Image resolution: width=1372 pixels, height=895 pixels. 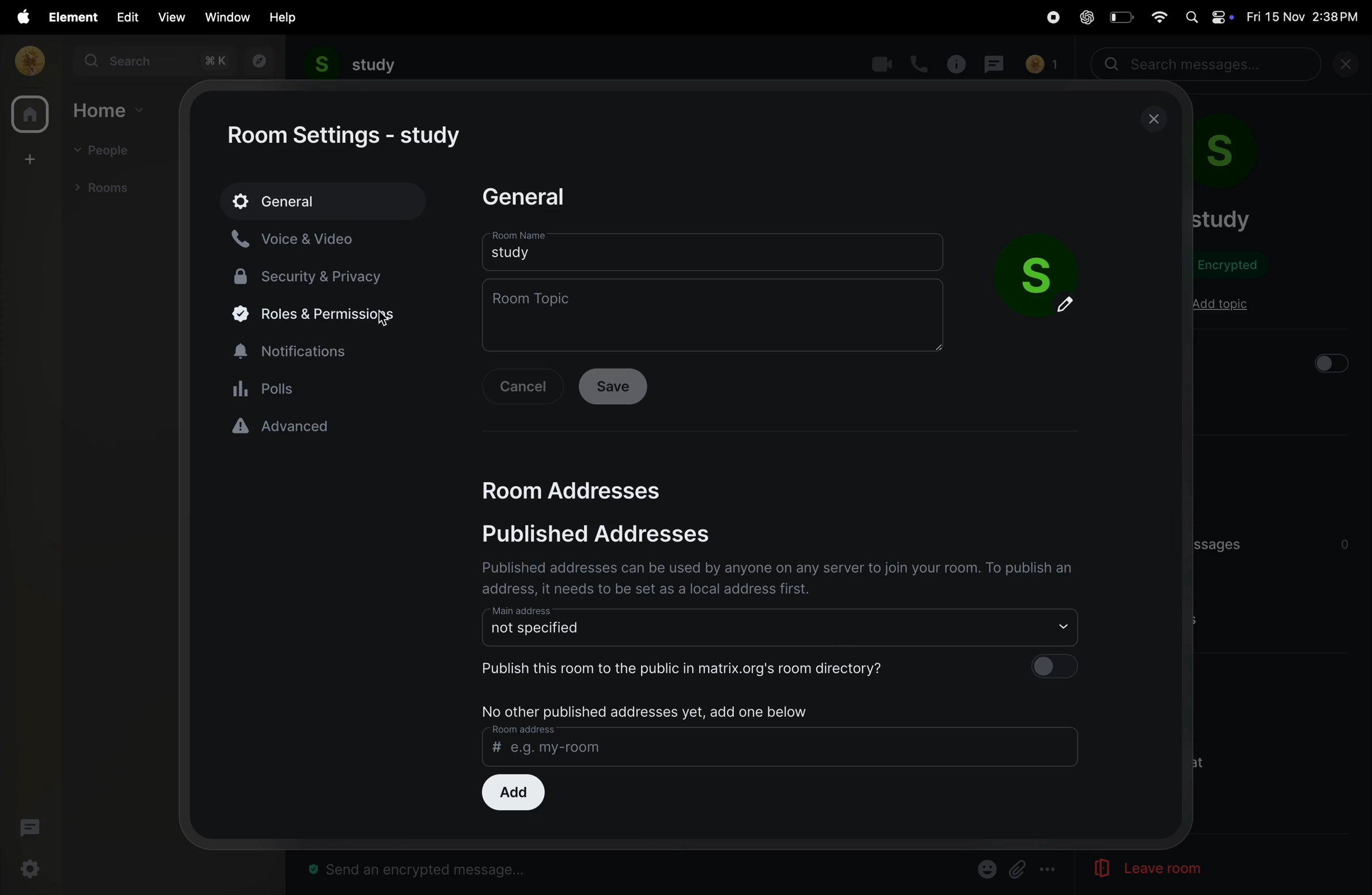 What do you see at coordinates (306, 238) in the screenshot?
I see `voice and video` at bounding box center [306, 238].